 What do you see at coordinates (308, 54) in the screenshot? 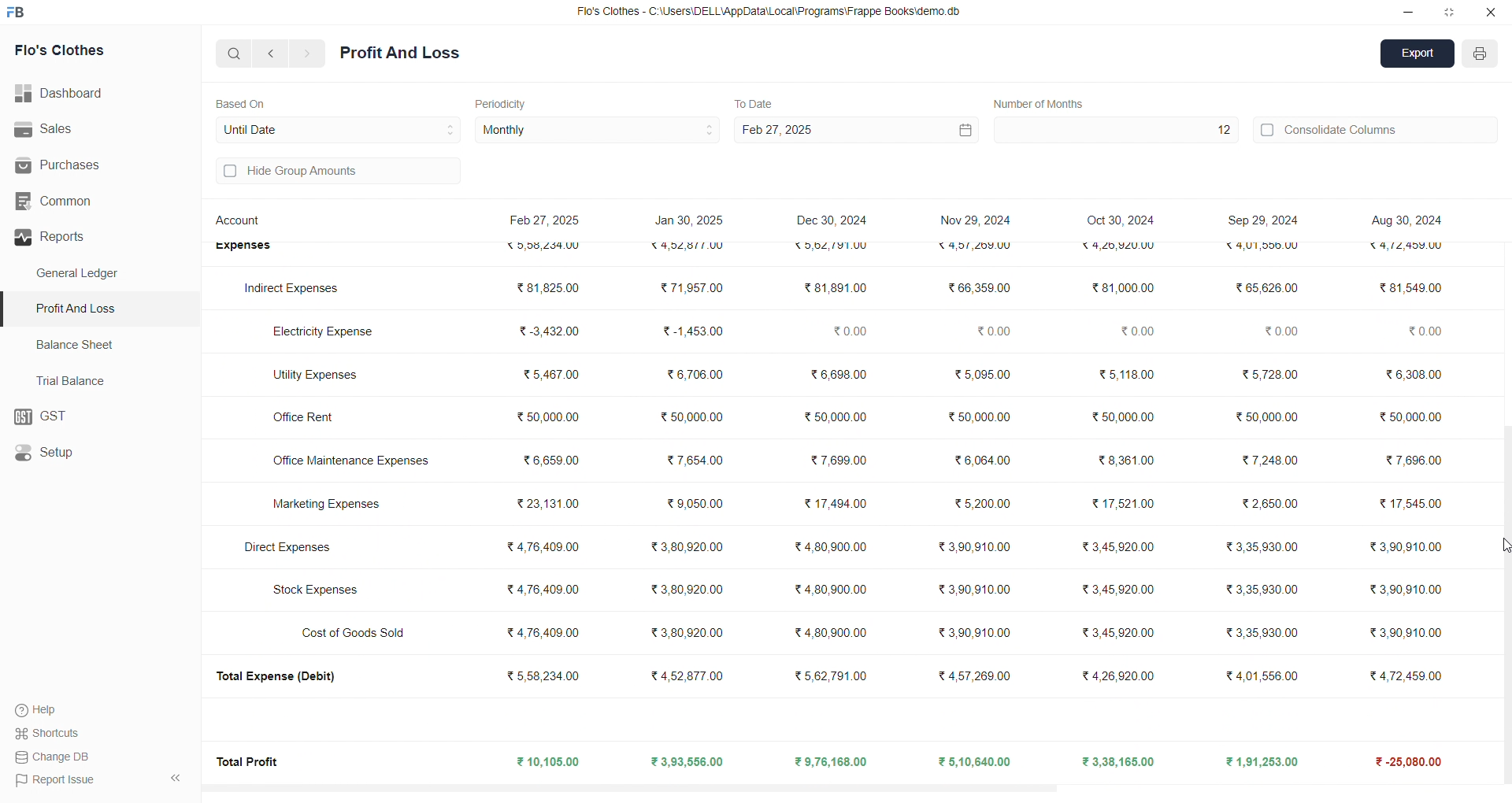
I see `navigate forward` at bounding box center [308, 54].